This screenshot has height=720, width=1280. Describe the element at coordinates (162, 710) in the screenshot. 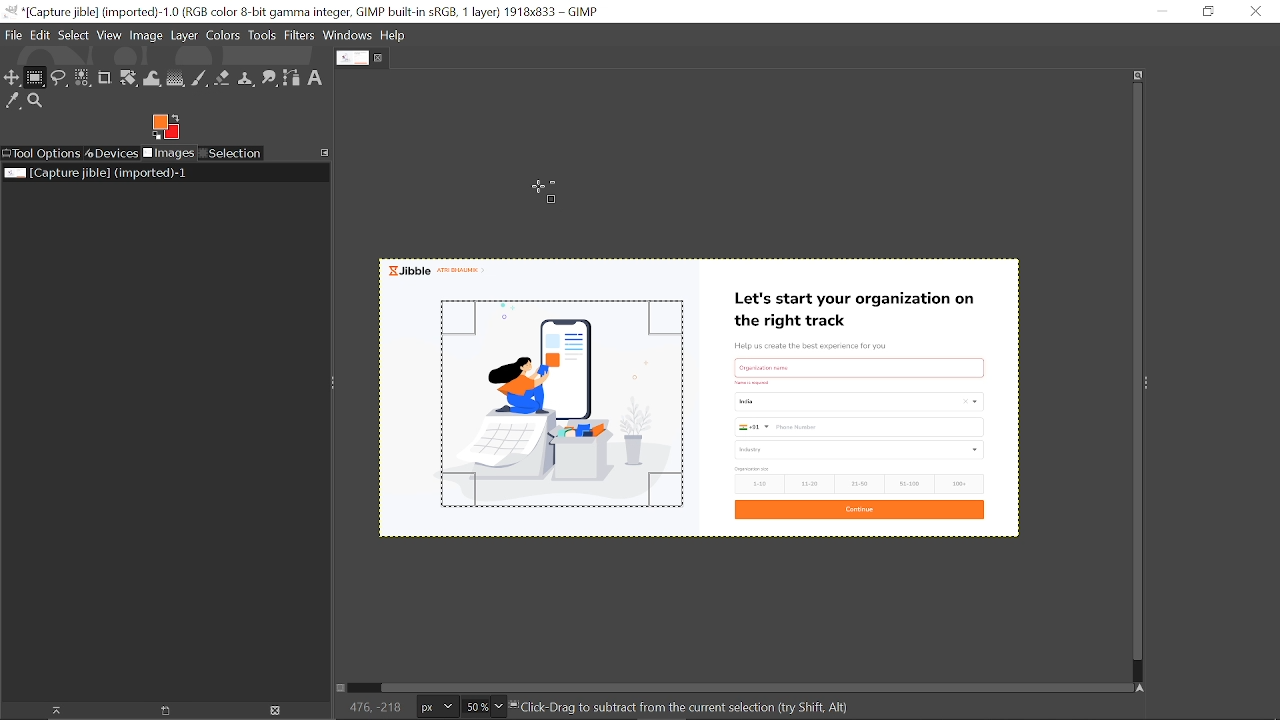

I see `Create new display for this image` at that location.